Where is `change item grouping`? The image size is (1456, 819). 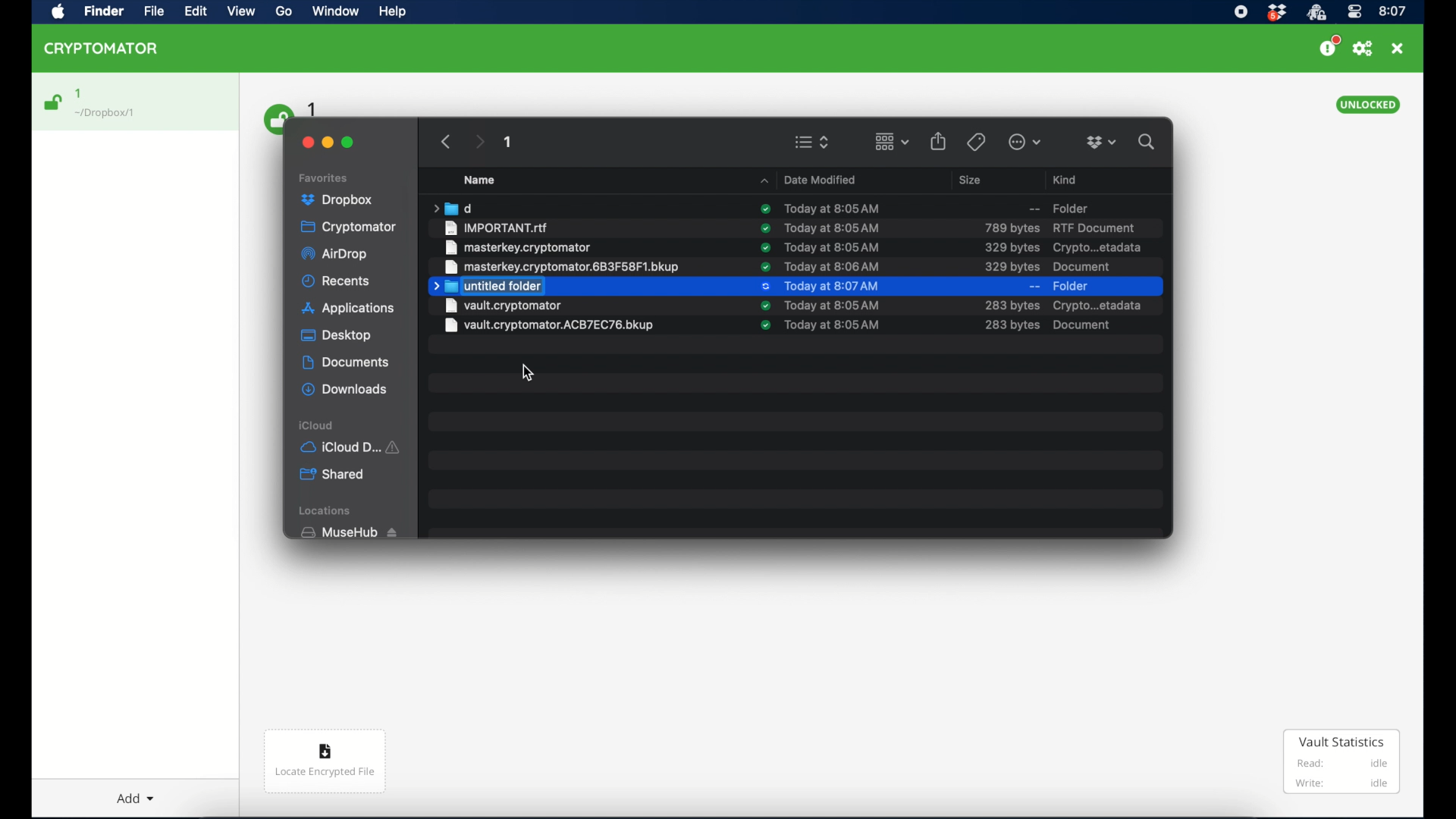 change item grouping is located at coordinates (891, 141).